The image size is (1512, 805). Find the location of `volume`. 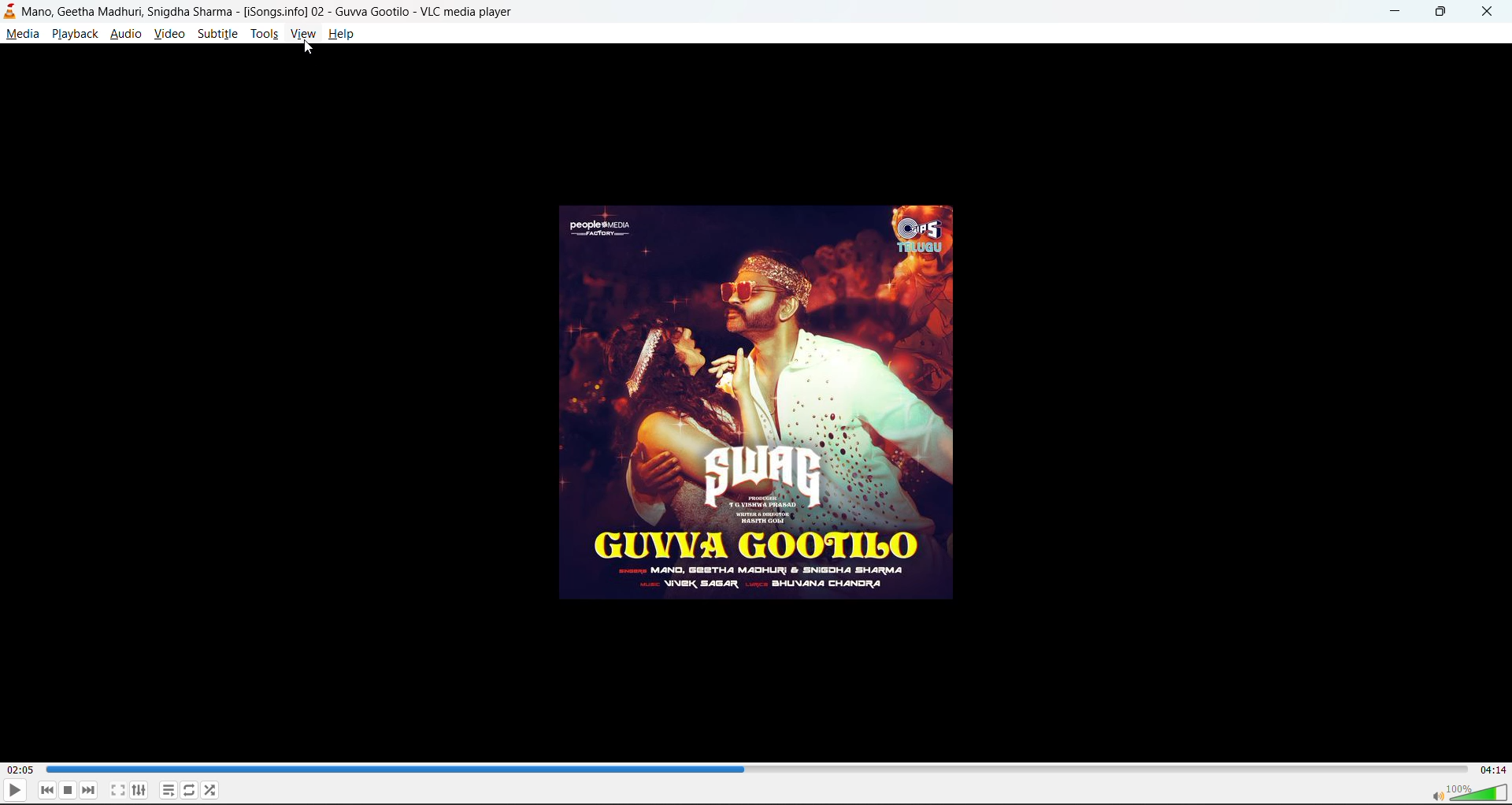

volume is located at coordinates (1468, 789).